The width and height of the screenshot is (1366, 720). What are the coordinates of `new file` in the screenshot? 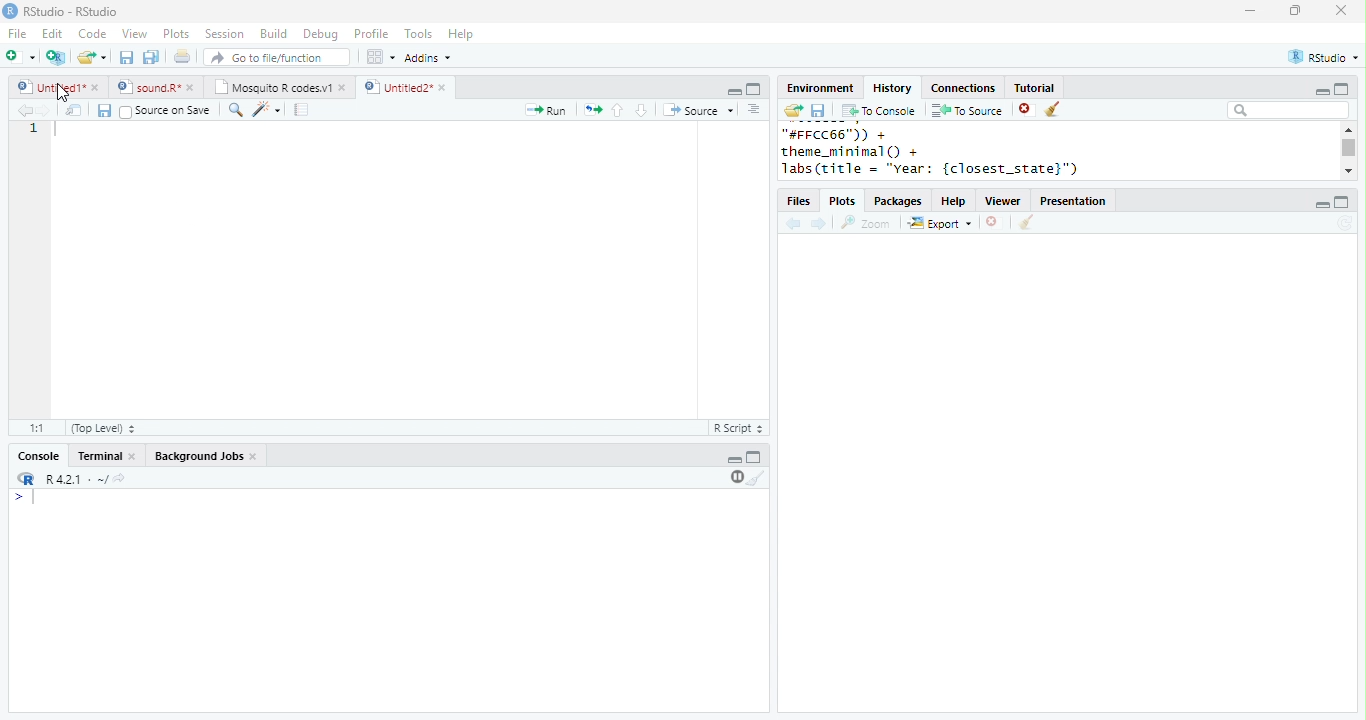 It's located at (20, 57).